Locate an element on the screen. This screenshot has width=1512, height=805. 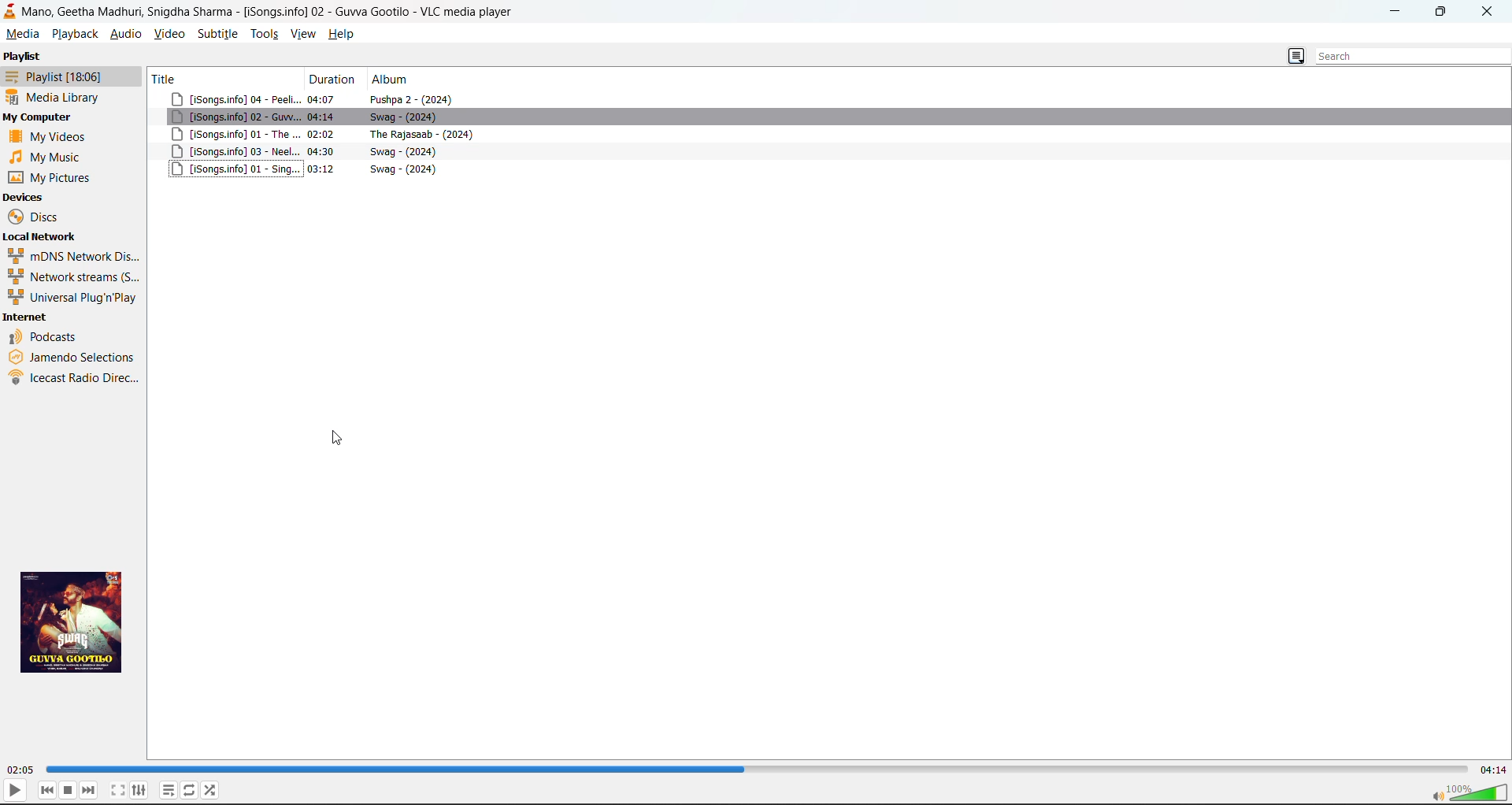
close is located at coordinates (1486, 13).